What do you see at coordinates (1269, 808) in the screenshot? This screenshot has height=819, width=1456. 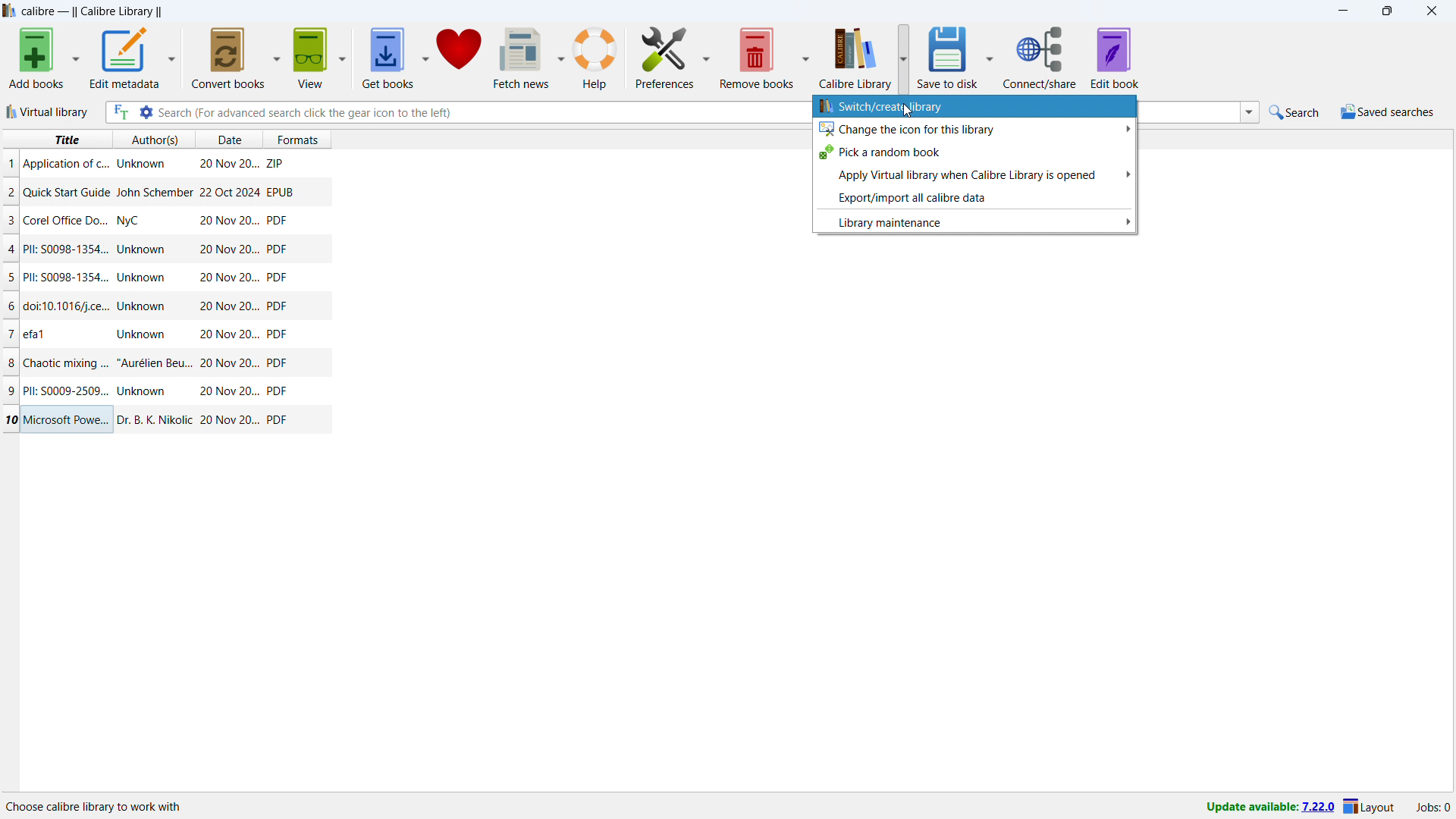 I see `update` at bounding box center [1269, 808].